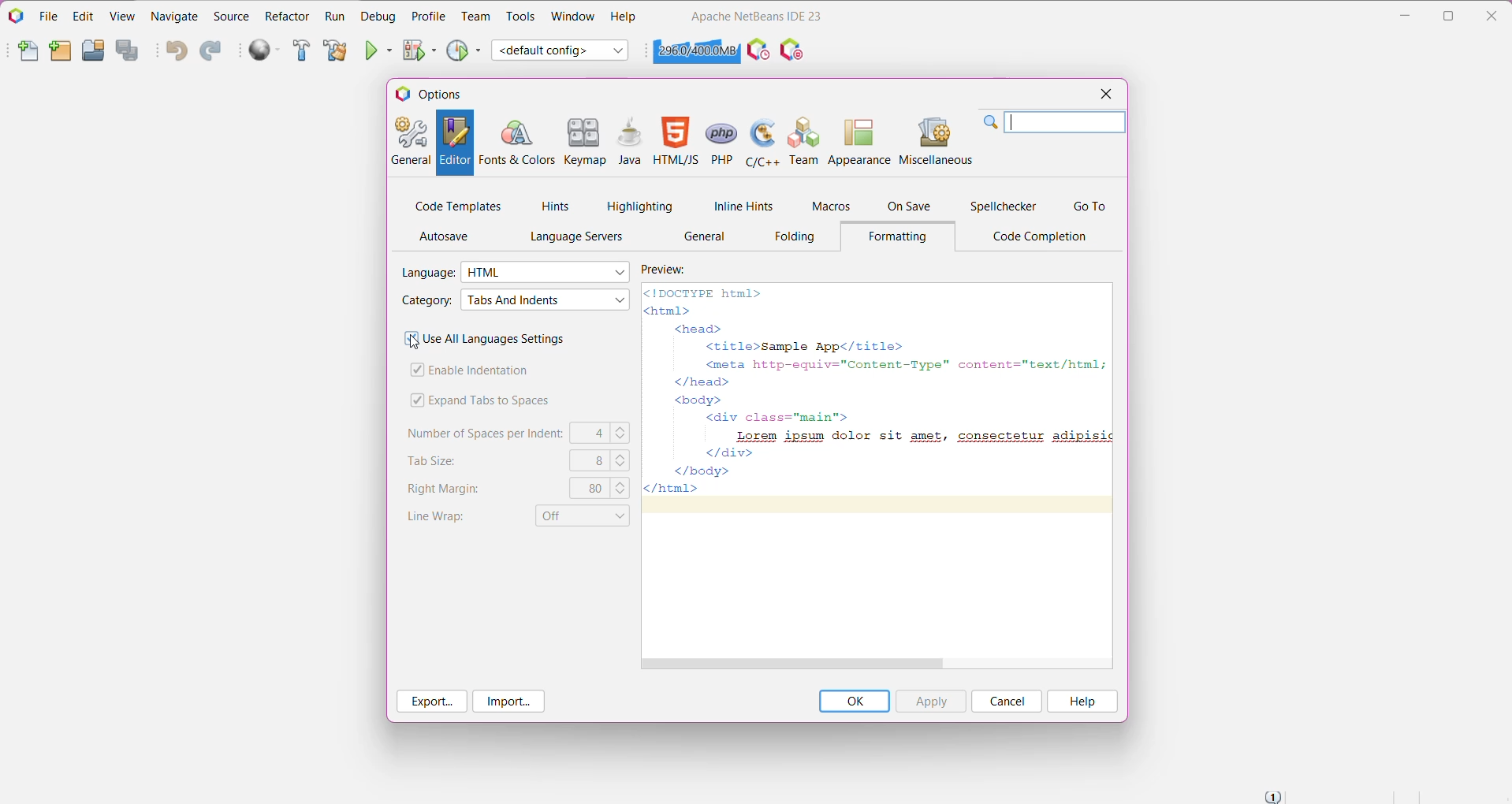  Describe the element at coordinates (1405, 16) in the screenshot. I see `Minimize` at that location.